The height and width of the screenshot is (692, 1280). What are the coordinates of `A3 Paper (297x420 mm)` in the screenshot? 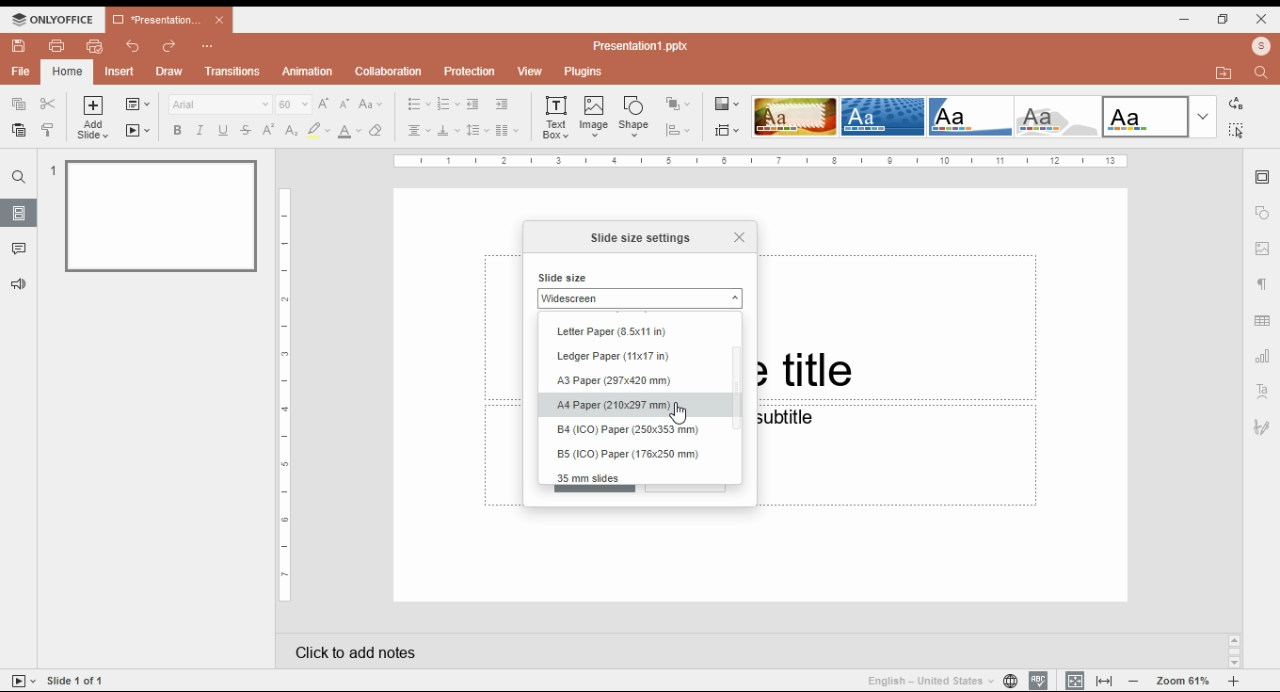 It's located at (617, 380).